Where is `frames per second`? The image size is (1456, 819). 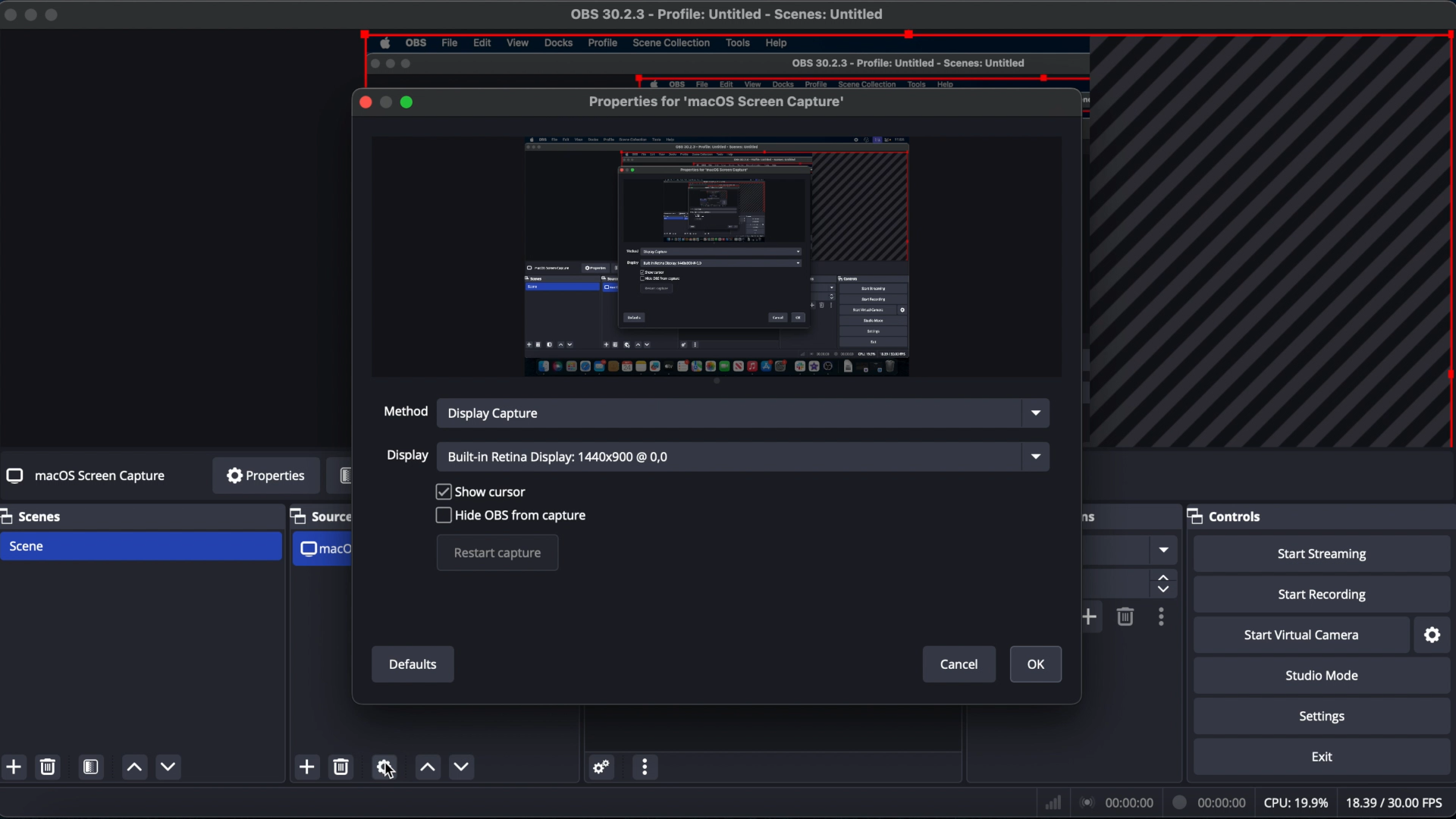 frames per second is located at coordinates (1395, 802).